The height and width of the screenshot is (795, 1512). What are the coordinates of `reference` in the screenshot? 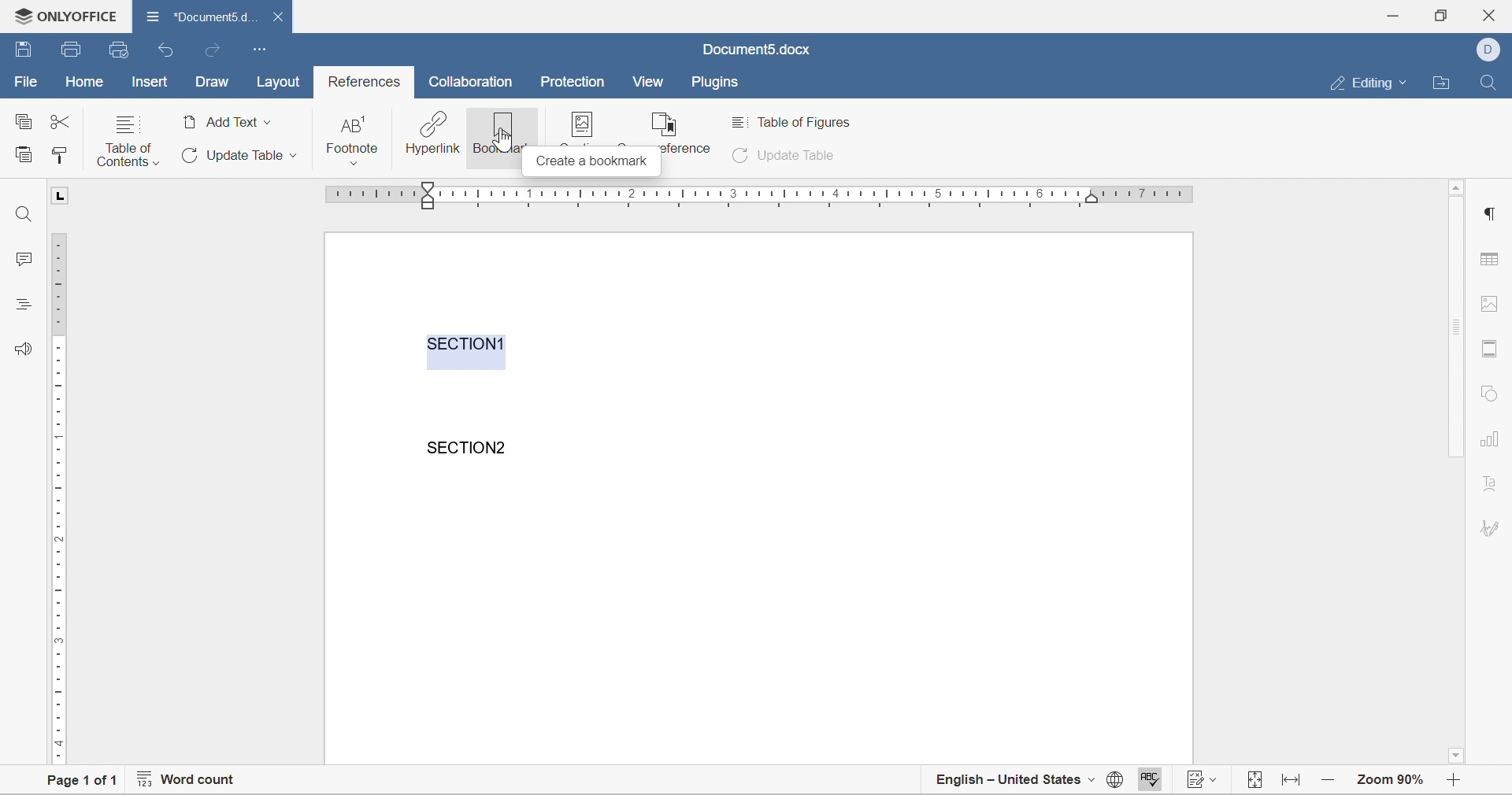 It's located at (680, 131).